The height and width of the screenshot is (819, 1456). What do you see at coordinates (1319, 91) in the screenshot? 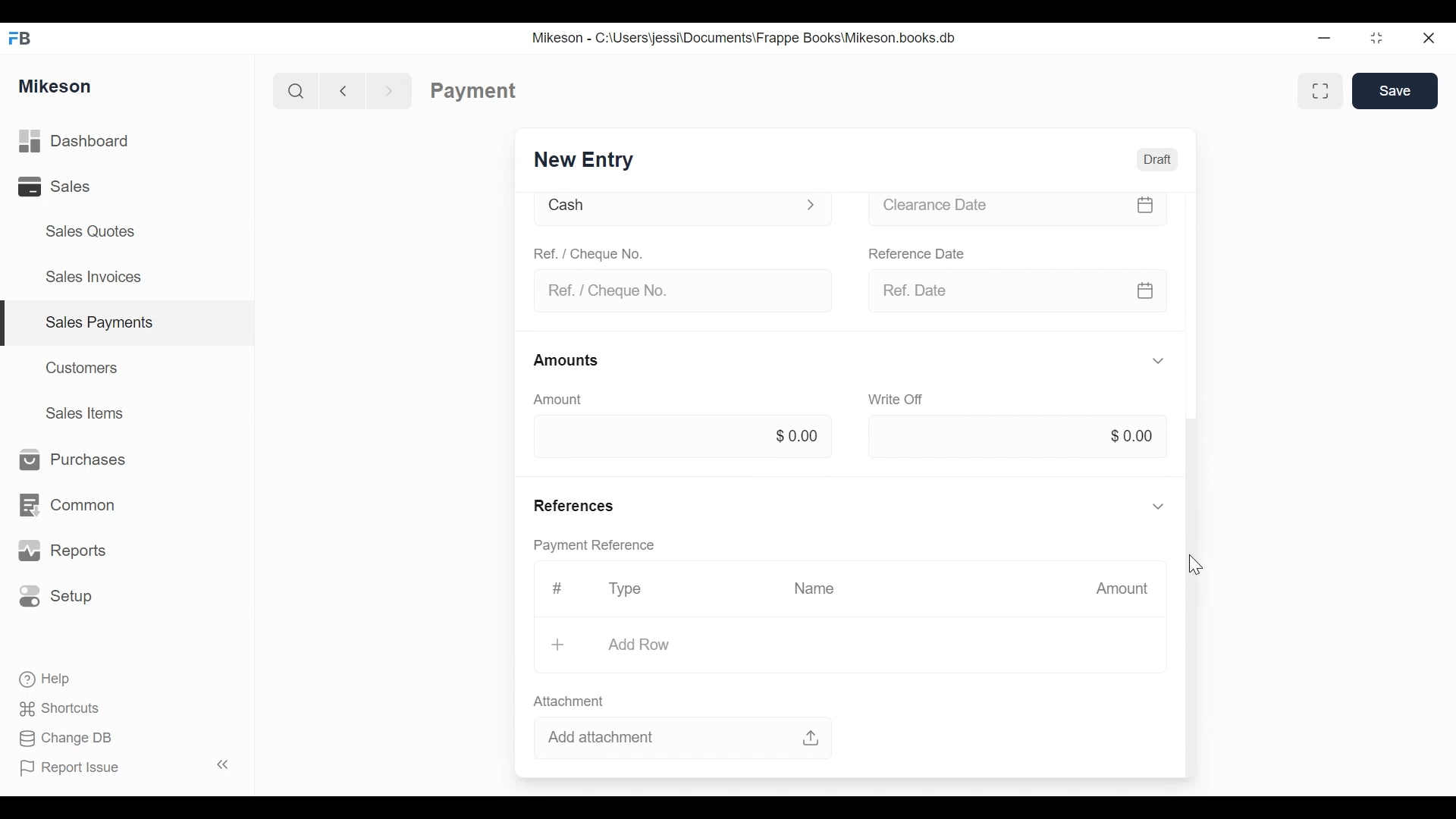
I see `full width toggle` at bounding box center [1319, 91].